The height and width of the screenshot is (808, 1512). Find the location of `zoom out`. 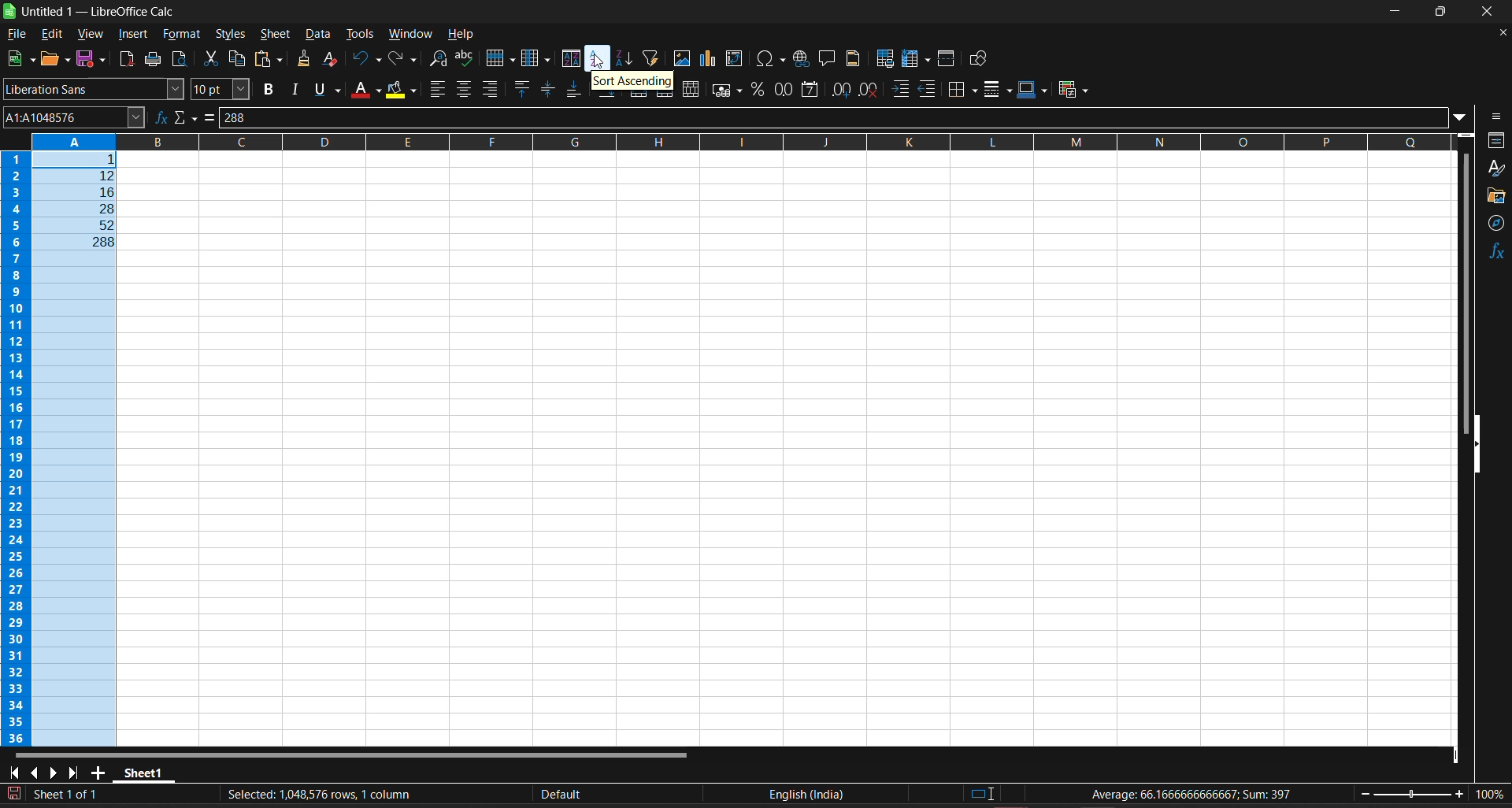

zoom out is located at coordinates (1362, 799).